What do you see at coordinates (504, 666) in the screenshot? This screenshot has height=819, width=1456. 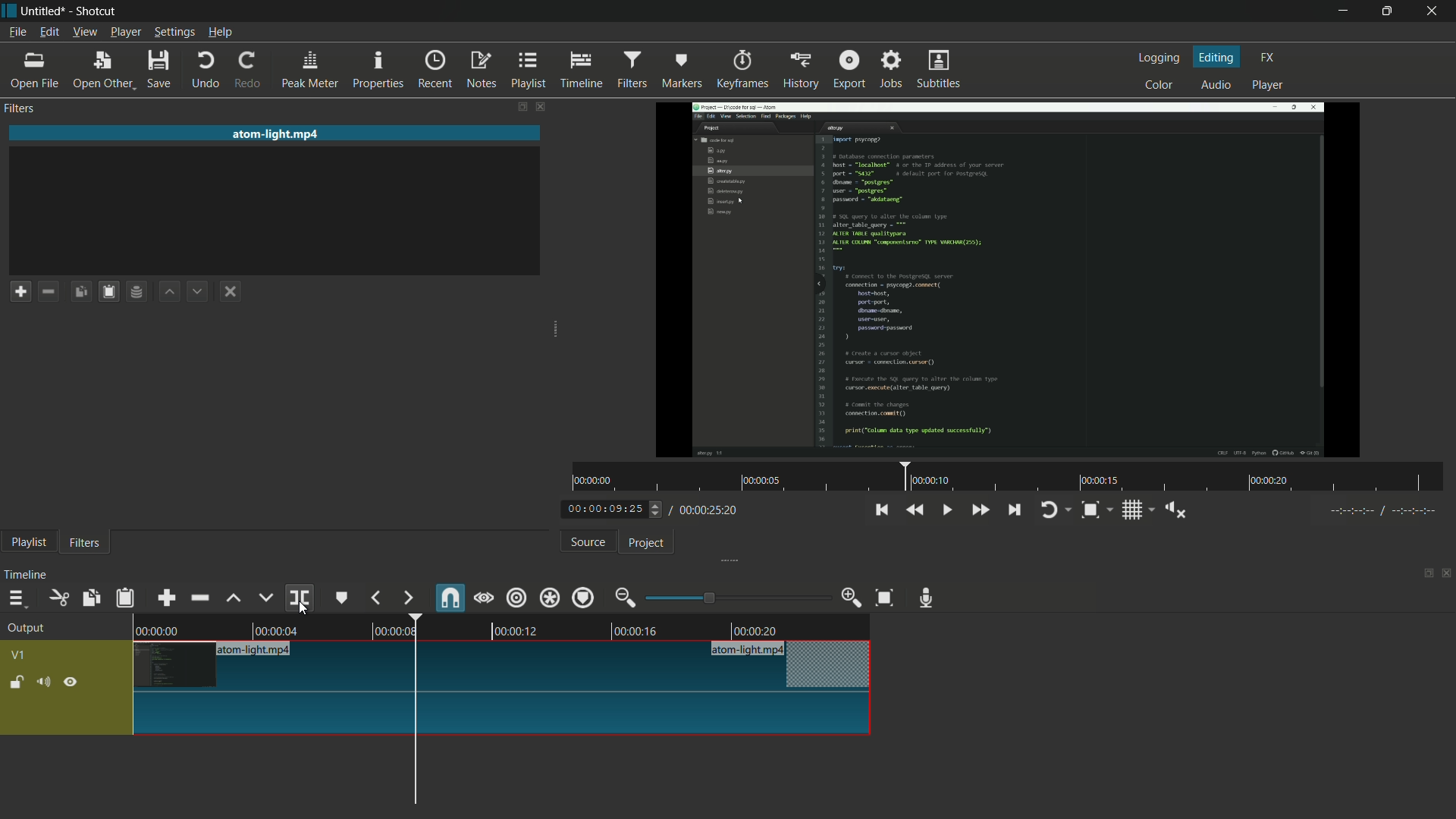 I see `` at bounding box center [504, 666].